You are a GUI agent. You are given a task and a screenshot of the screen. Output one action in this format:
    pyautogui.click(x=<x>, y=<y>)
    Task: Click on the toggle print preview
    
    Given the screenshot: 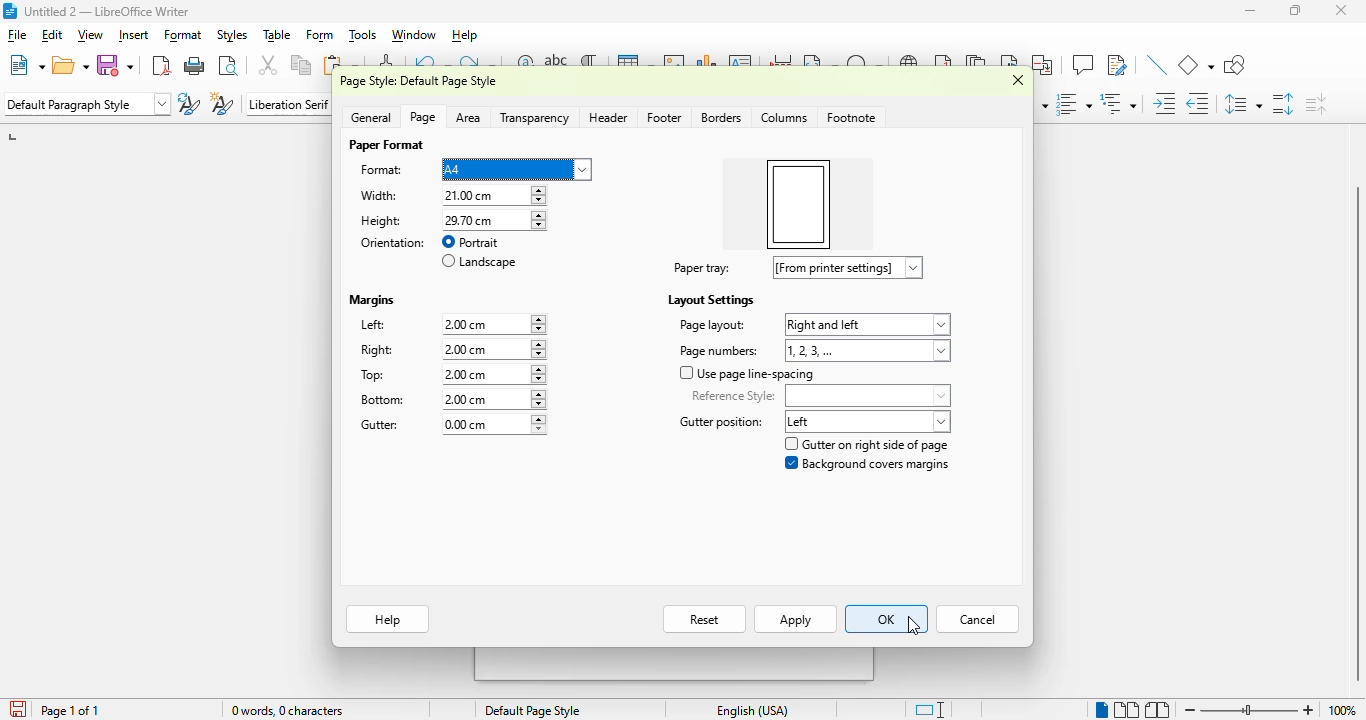 What is the action you would take?
    pyautogui.click(x=230, y=66)
    